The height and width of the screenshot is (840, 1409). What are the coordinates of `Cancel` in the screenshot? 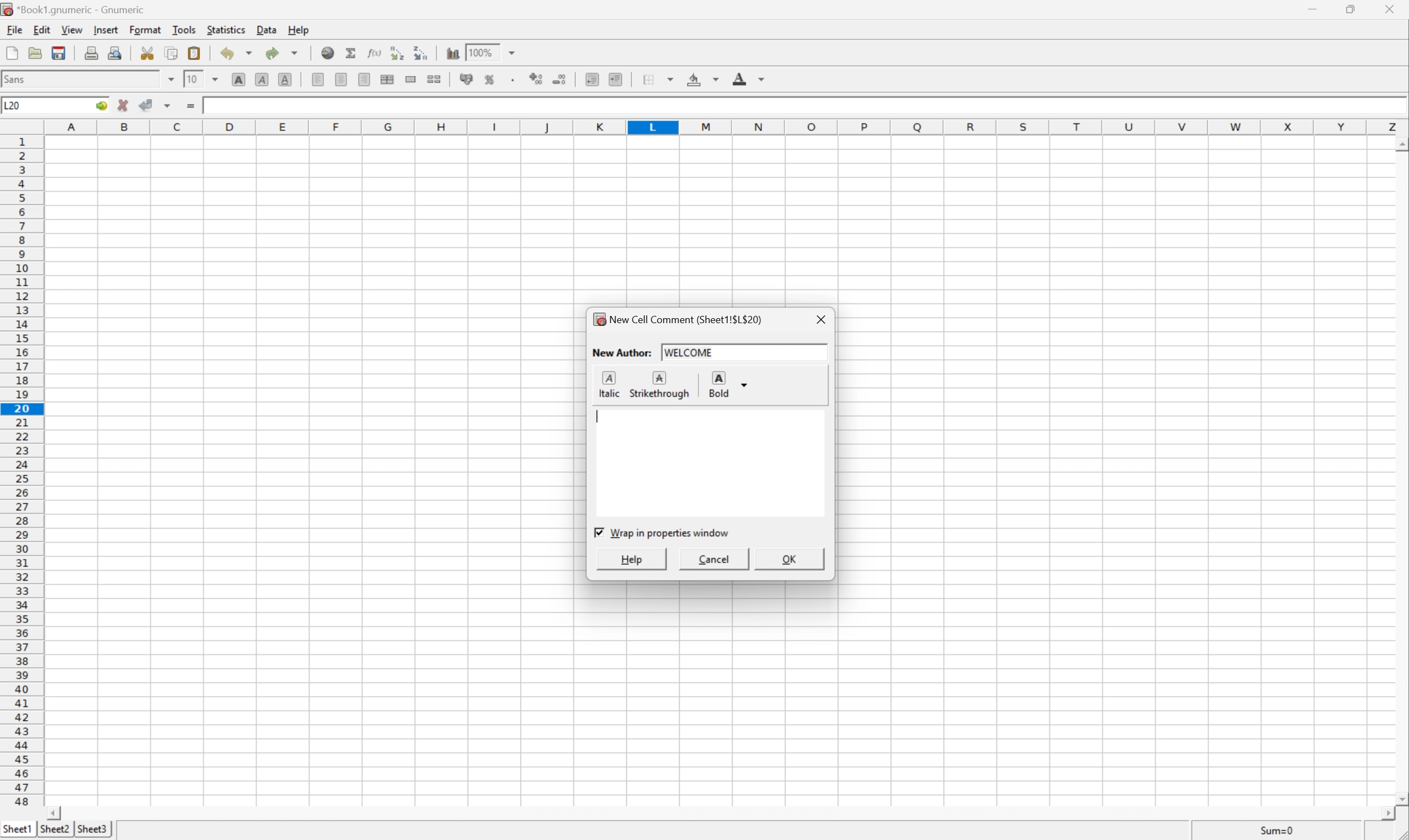 It's located at (715, 560).